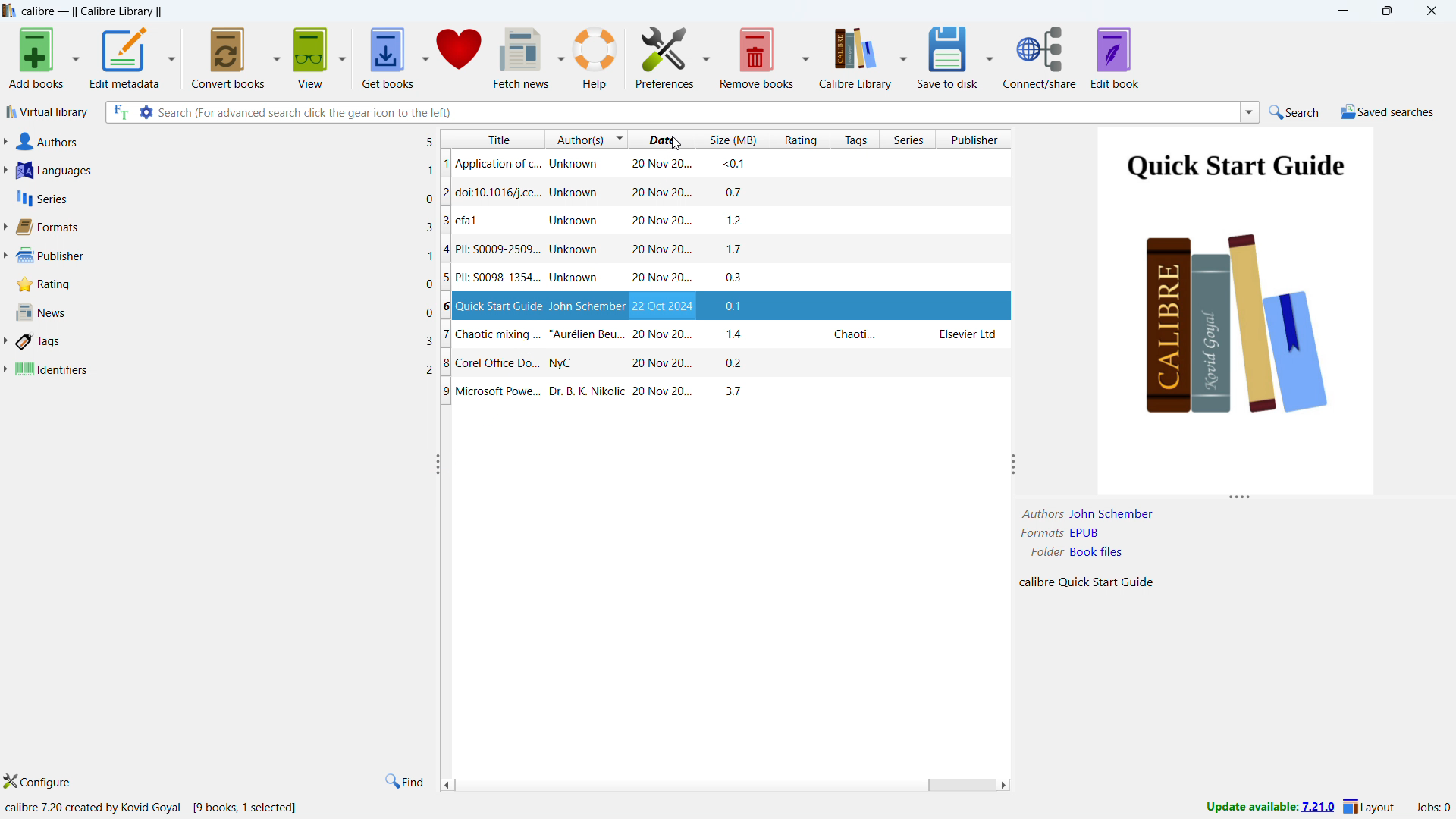 This screenshot has height=819, width=1456. What do you see at coordinates (1037, 513) in the screenshot?
I see `Authors` at bounding box center [1037, 513].